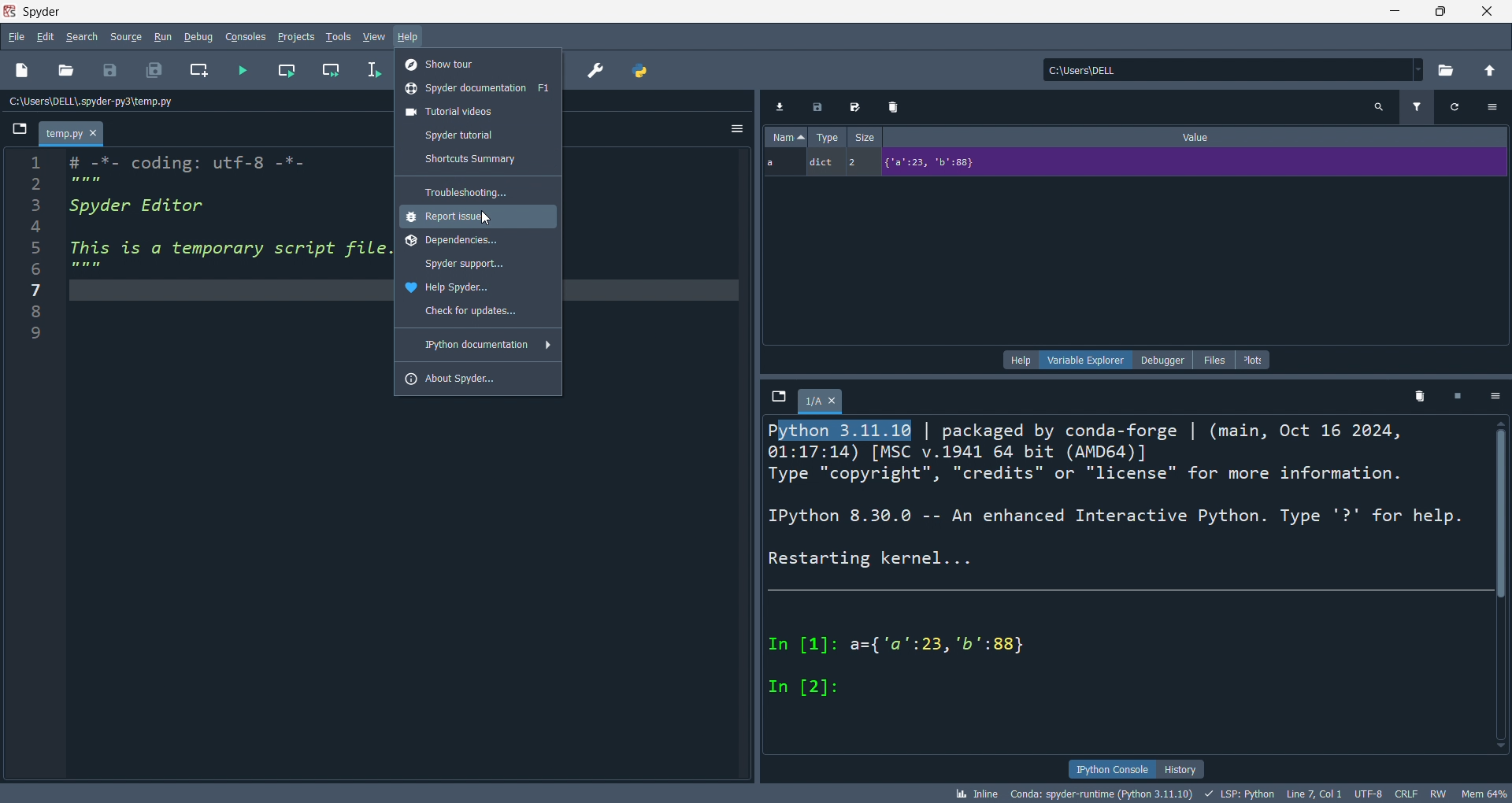 This screenshot has height=803, width=1512. Describe the element at coordinates (376, 38) in the screenshot. I see `view` at that location.